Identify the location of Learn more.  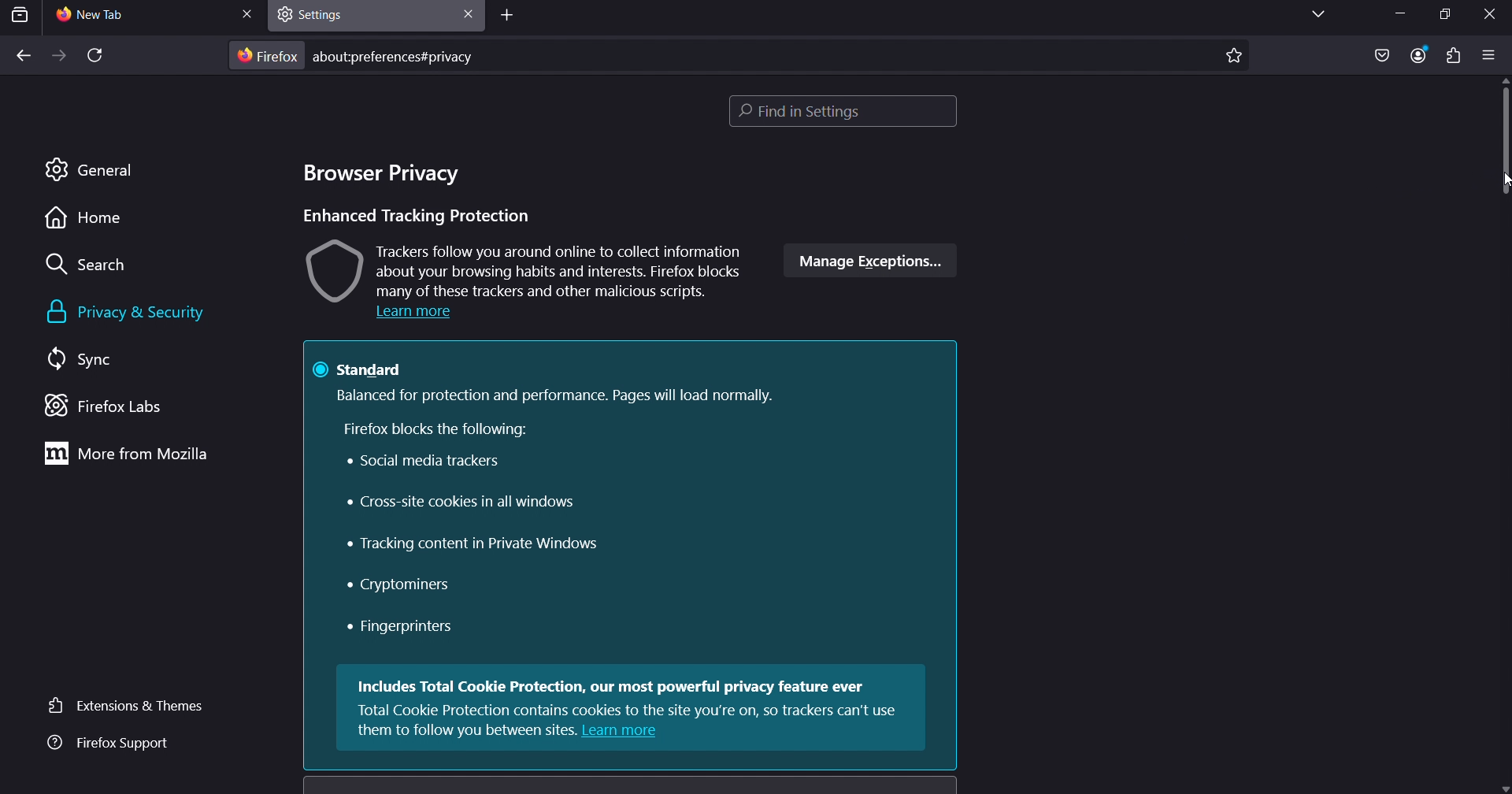
(417, 313).